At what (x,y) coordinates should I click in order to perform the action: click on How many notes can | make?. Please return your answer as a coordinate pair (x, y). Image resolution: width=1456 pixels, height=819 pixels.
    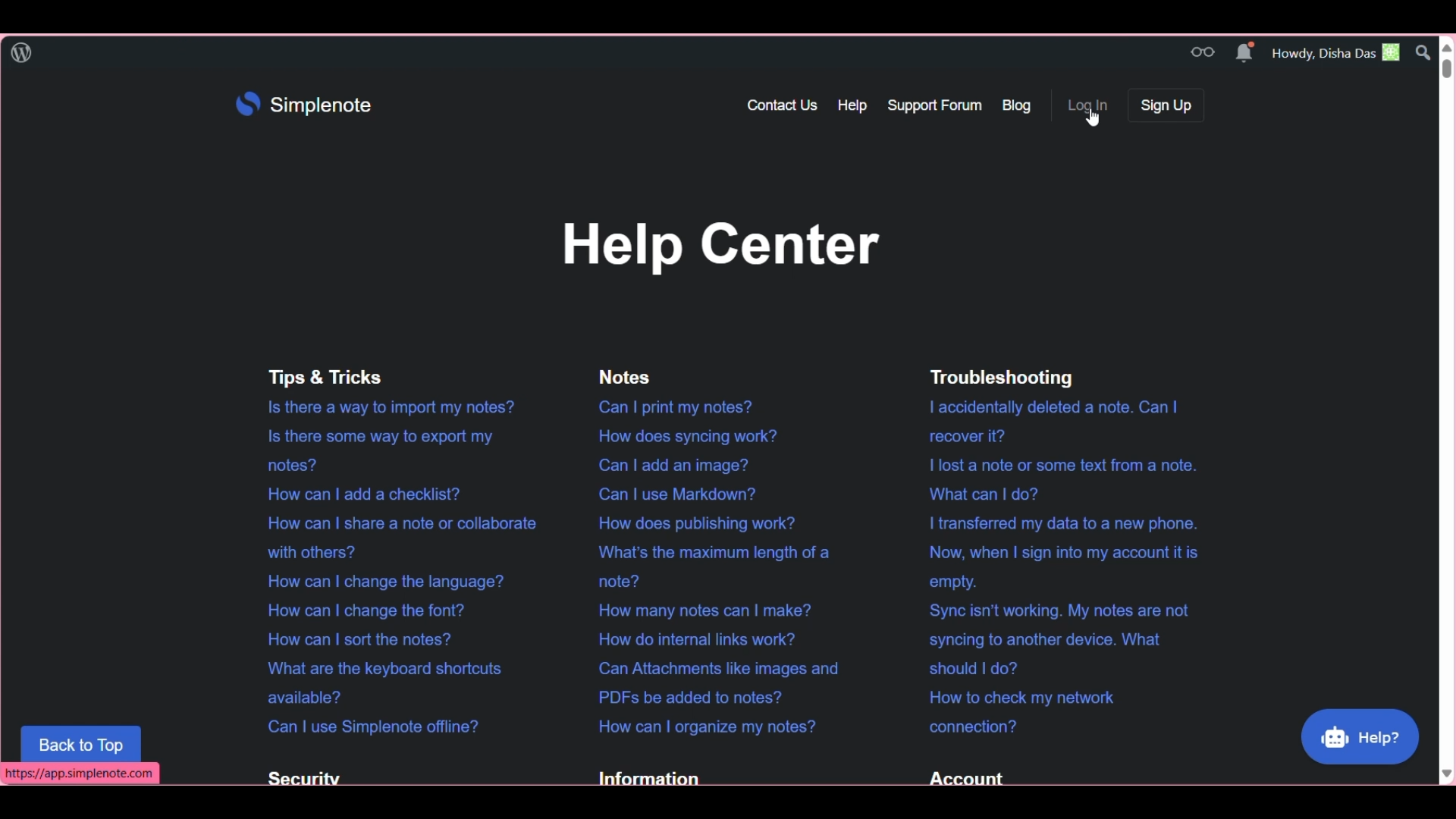
    Looking at the image, I should click on (695, 610).